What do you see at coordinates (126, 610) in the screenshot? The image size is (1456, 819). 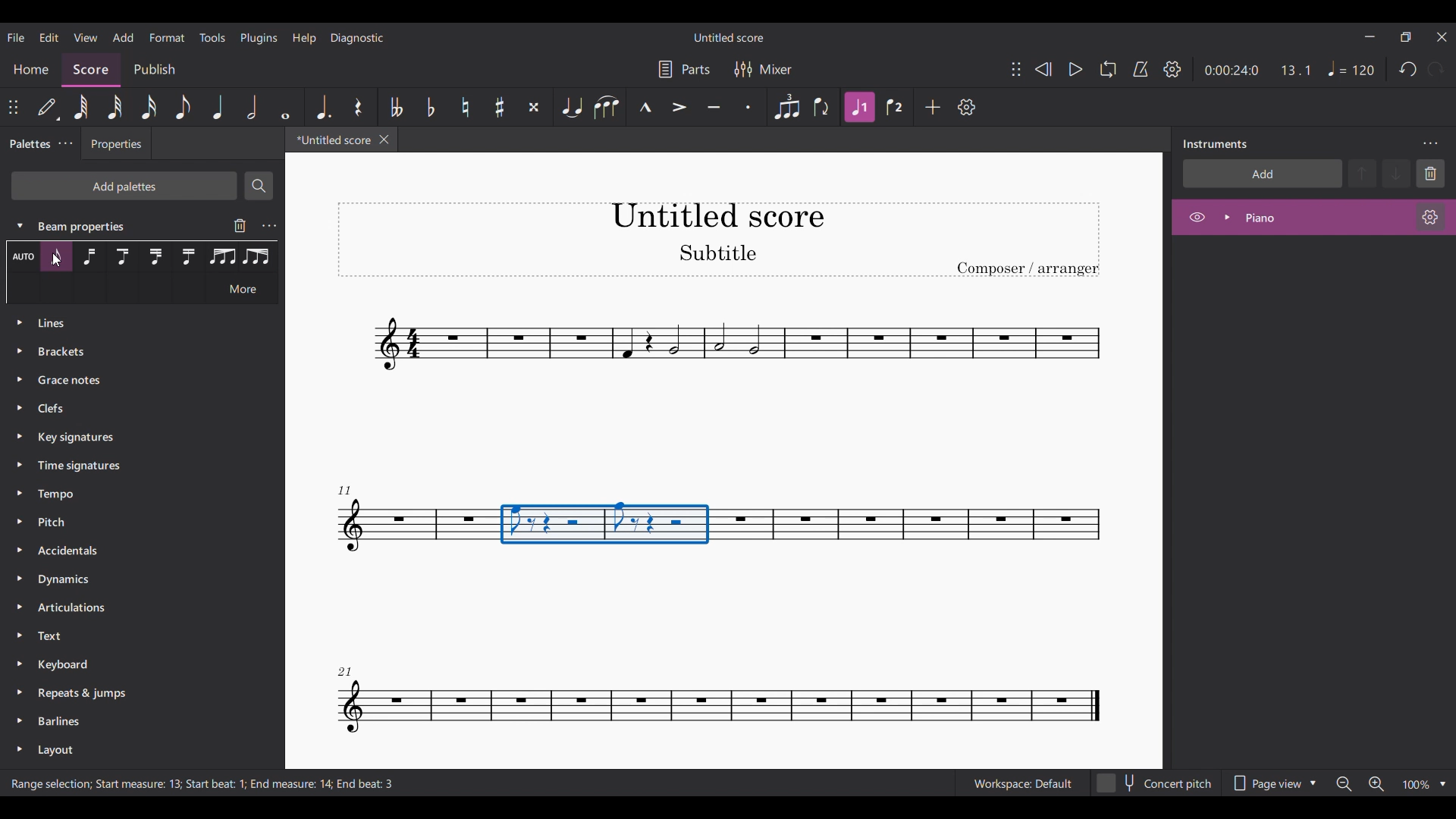 I see `Articulations` at bounding box center [126, 610].